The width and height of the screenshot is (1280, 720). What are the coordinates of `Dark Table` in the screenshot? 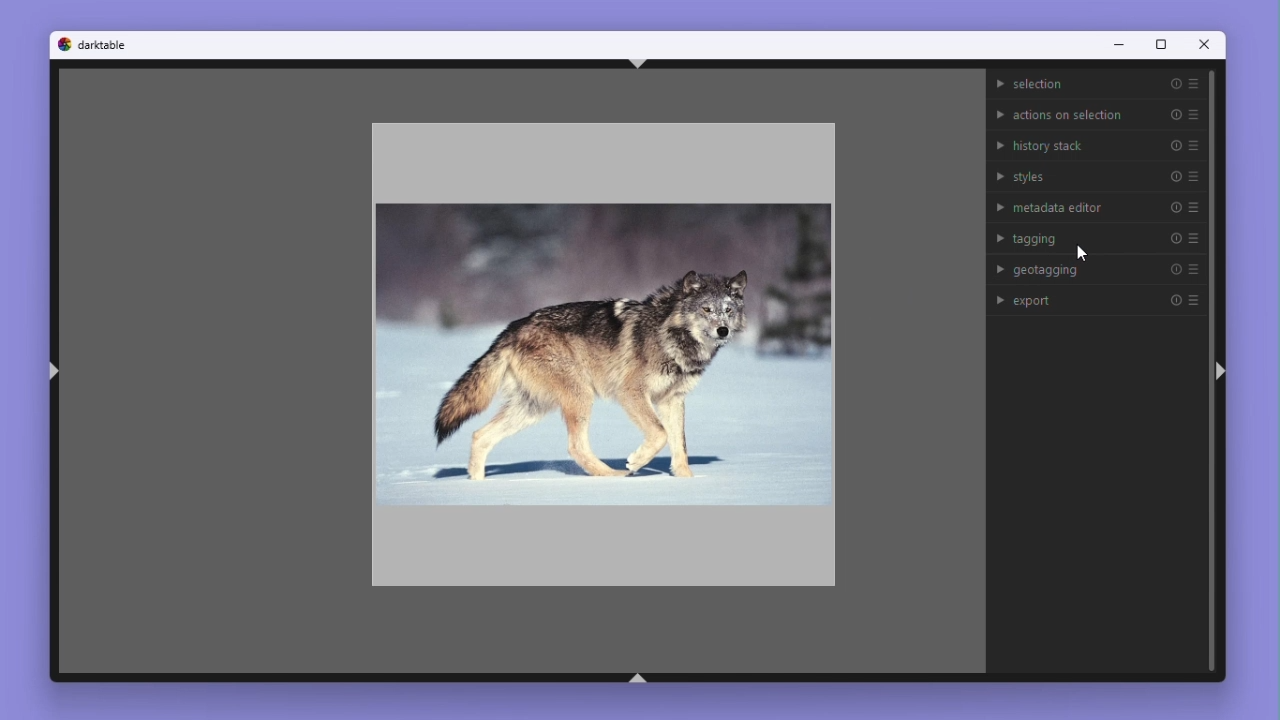 It's located at (107, 45).